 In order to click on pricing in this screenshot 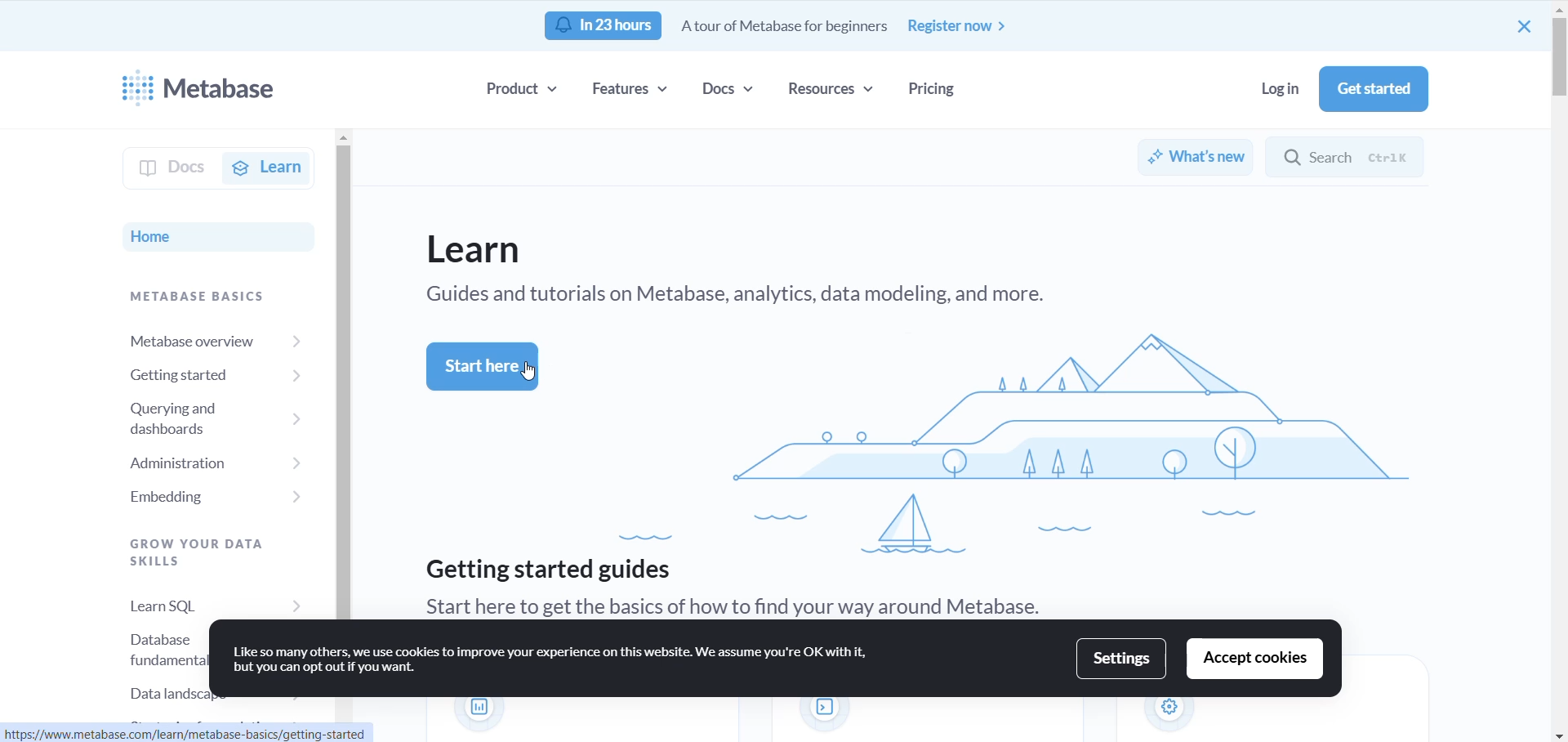, I will do `click(935, 91)`.